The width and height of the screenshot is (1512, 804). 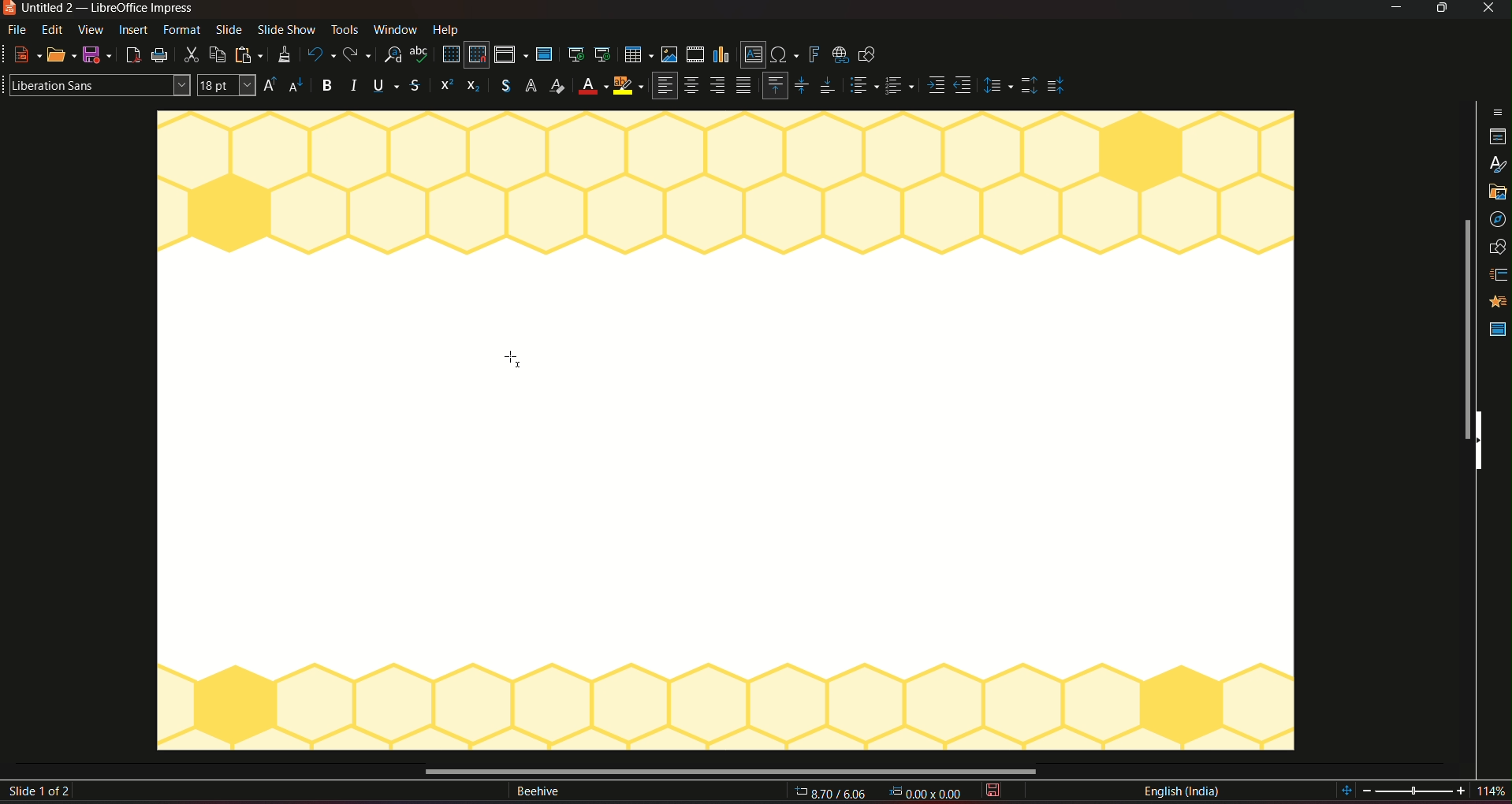 I want to click on dimensions 0.00*0.00, so click(x=928, y=794).